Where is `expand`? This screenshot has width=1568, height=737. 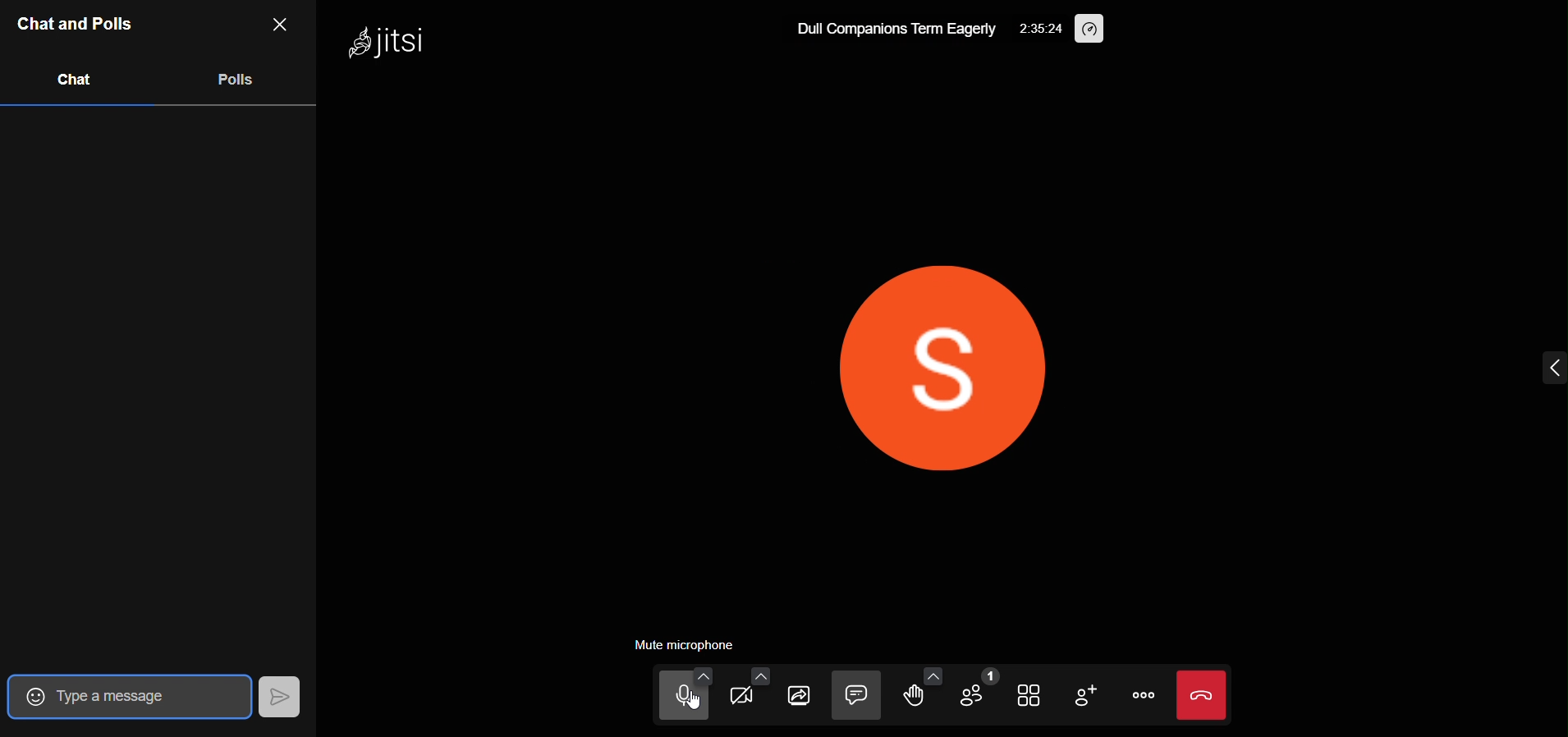 expand is located at coordinates (1538, 367).